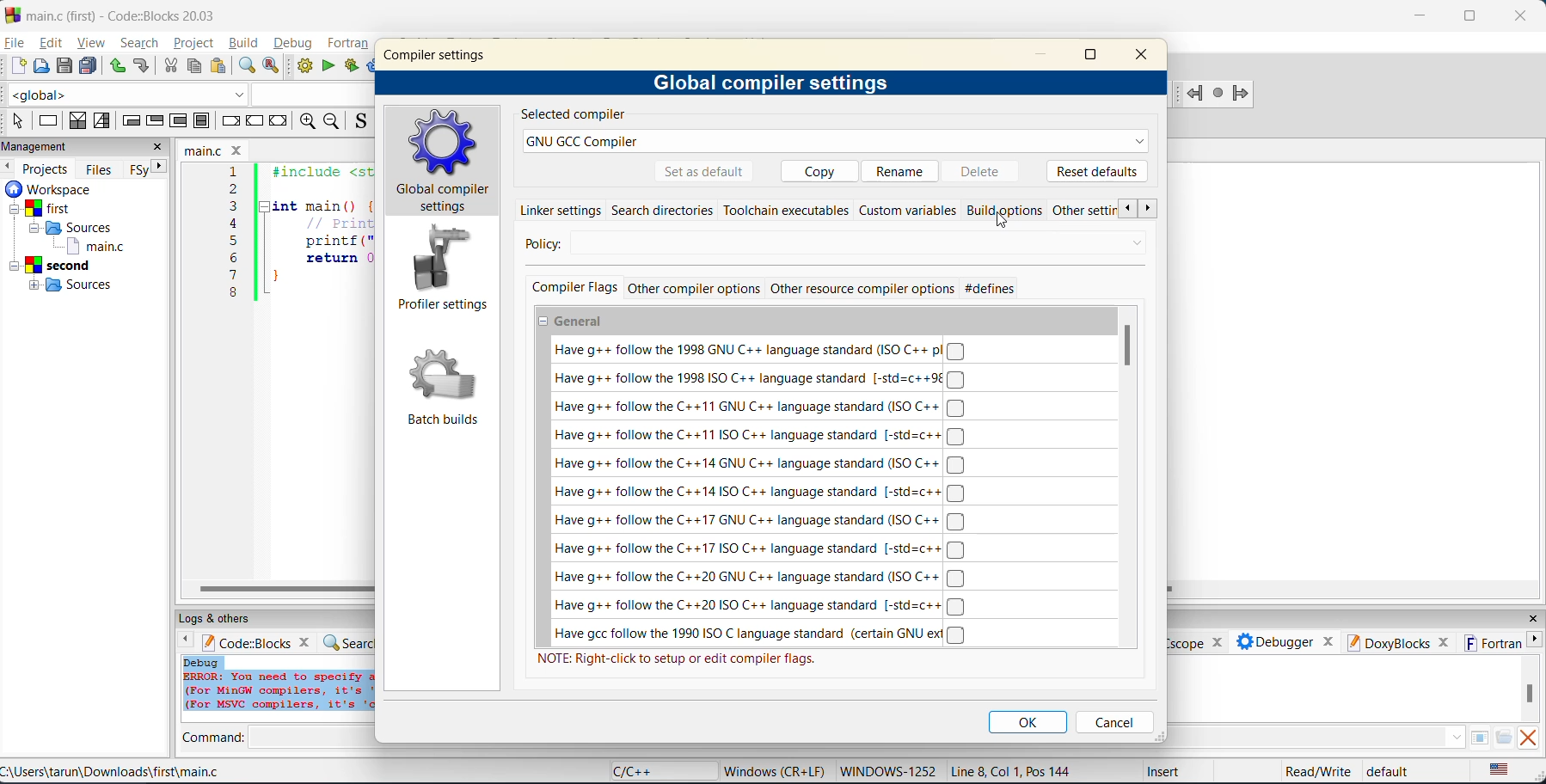  I want to click on select, so click(20, 121).